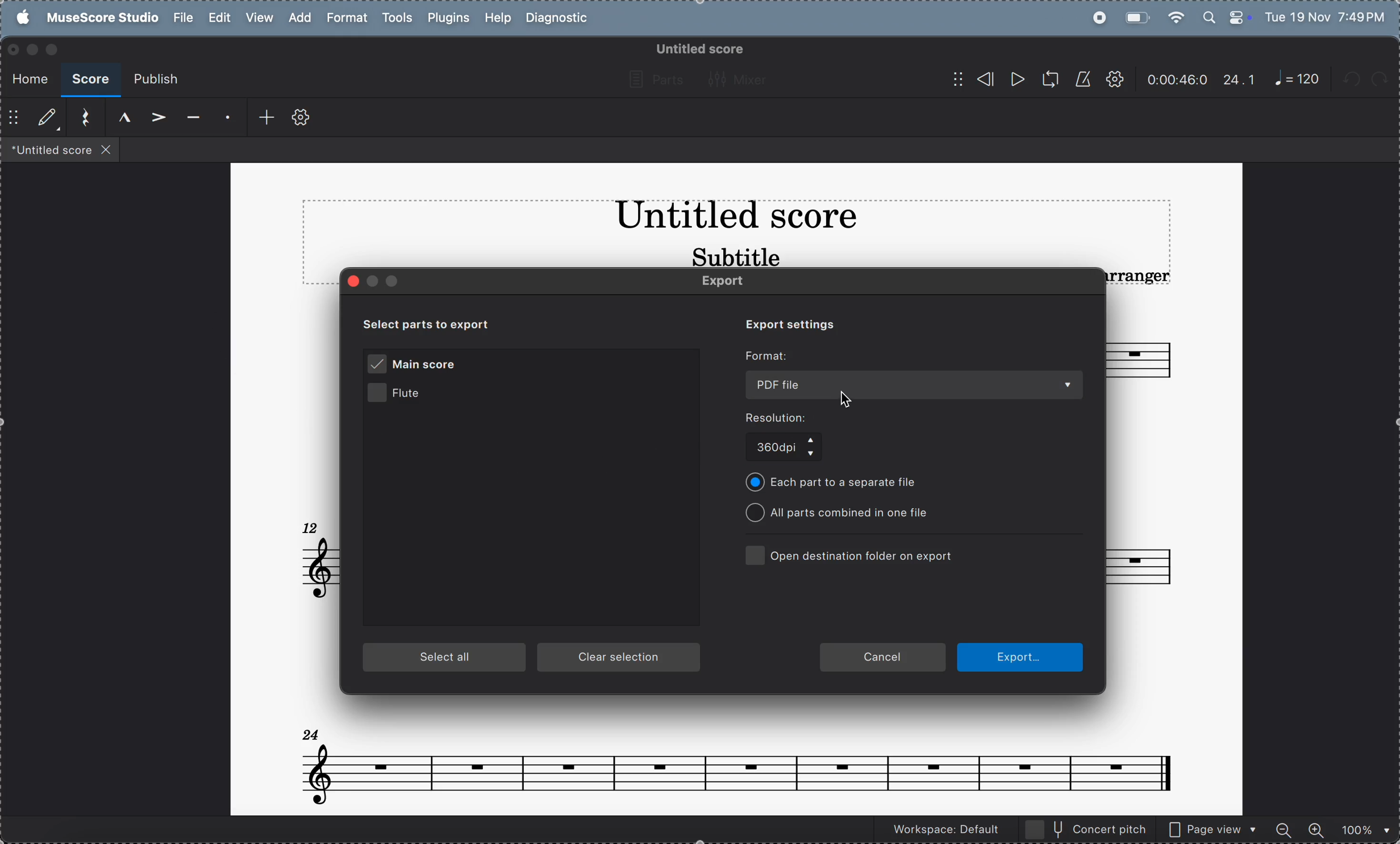 The image size is (1400, 844). I want to click on reset, so click(82, 118).